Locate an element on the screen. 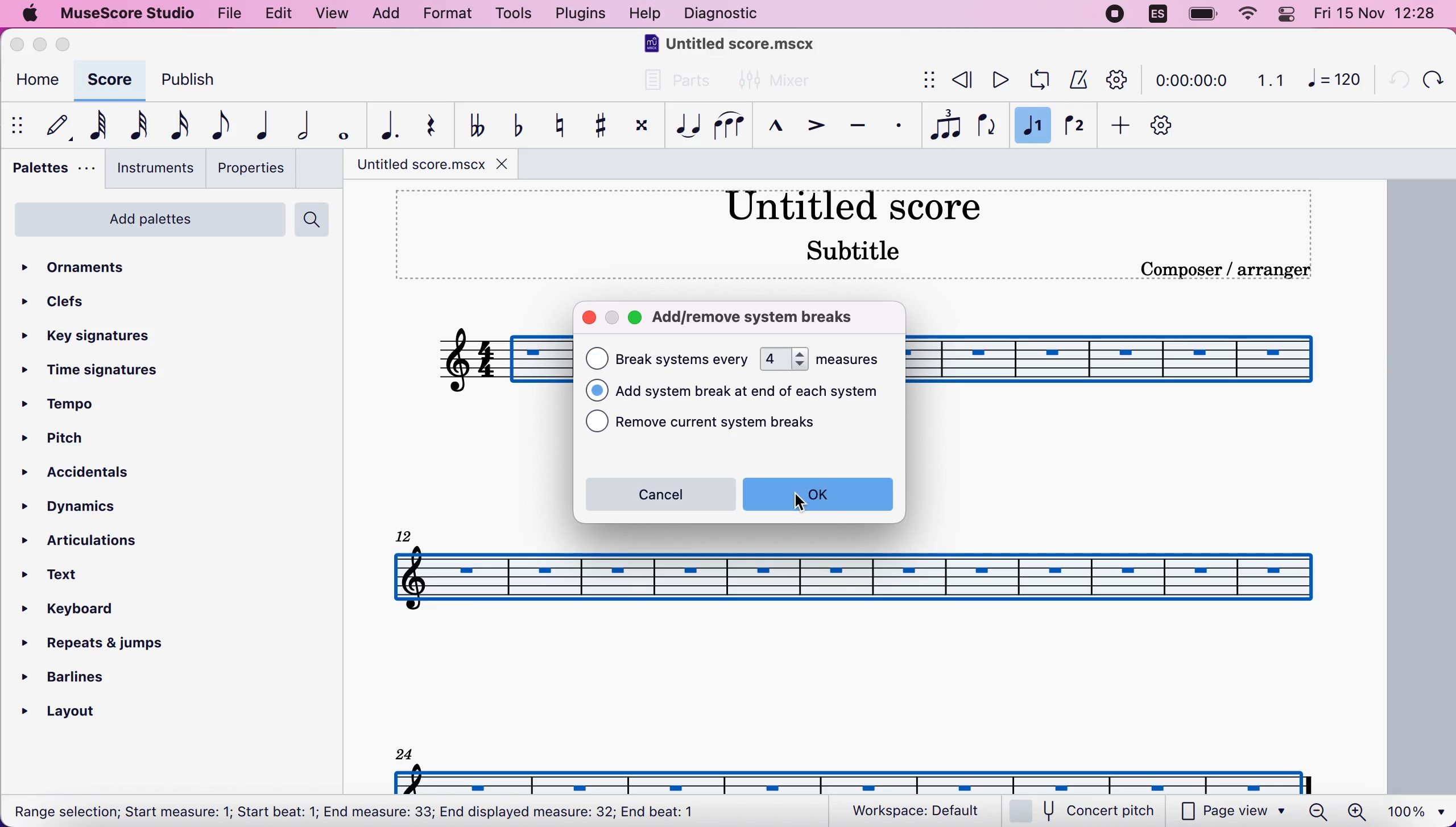 Image resolution: width=1456 pixels, height=827 pixels. home is located at coordinates (35, 82).